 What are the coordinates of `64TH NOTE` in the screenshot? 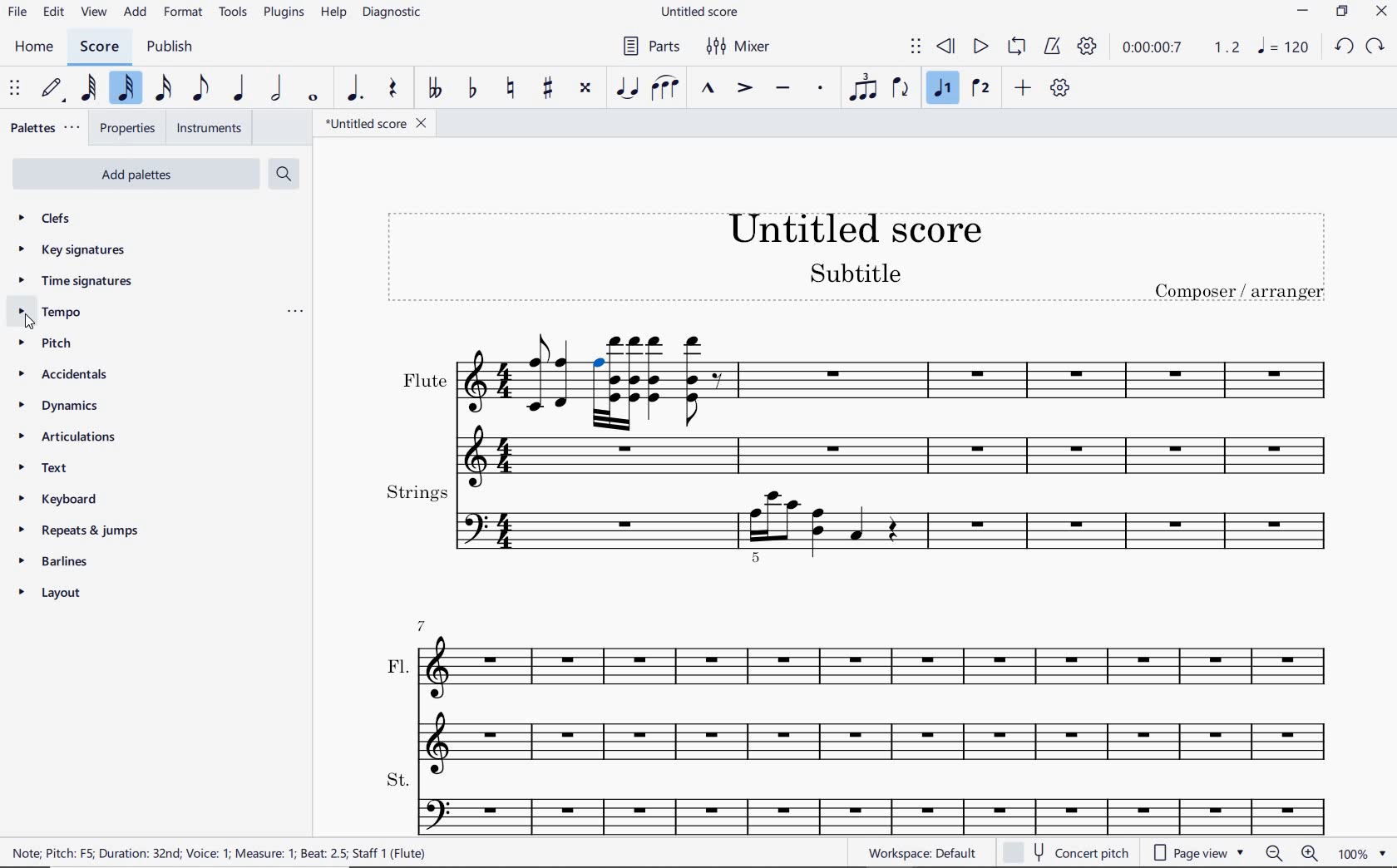 It's located at (90, 87).